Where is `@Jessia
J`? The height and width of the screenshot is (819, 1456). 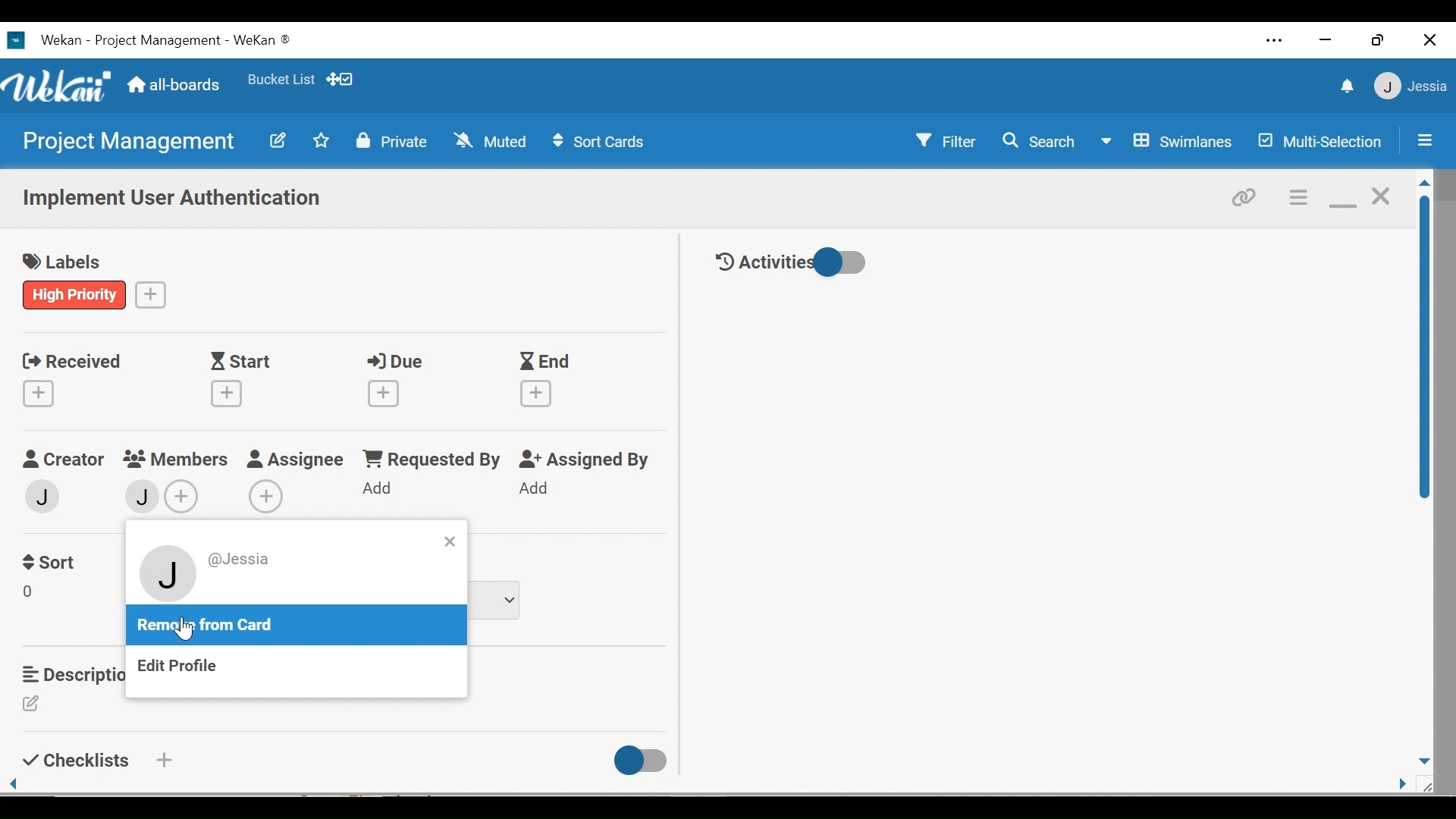 @Jessia
J is located at coordinates (218, 576).